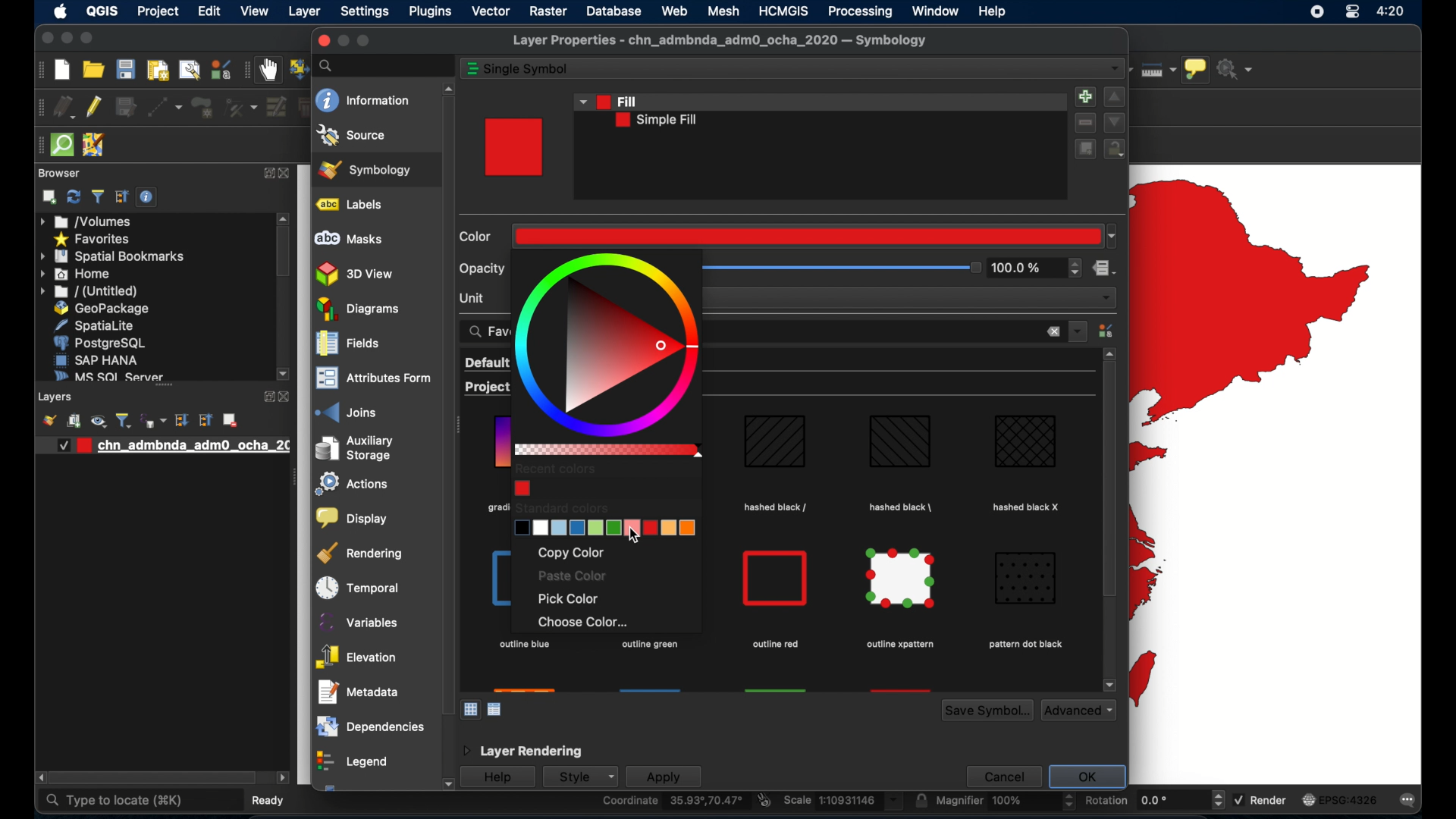  I want to click on date defined override, so click(1105, 270).